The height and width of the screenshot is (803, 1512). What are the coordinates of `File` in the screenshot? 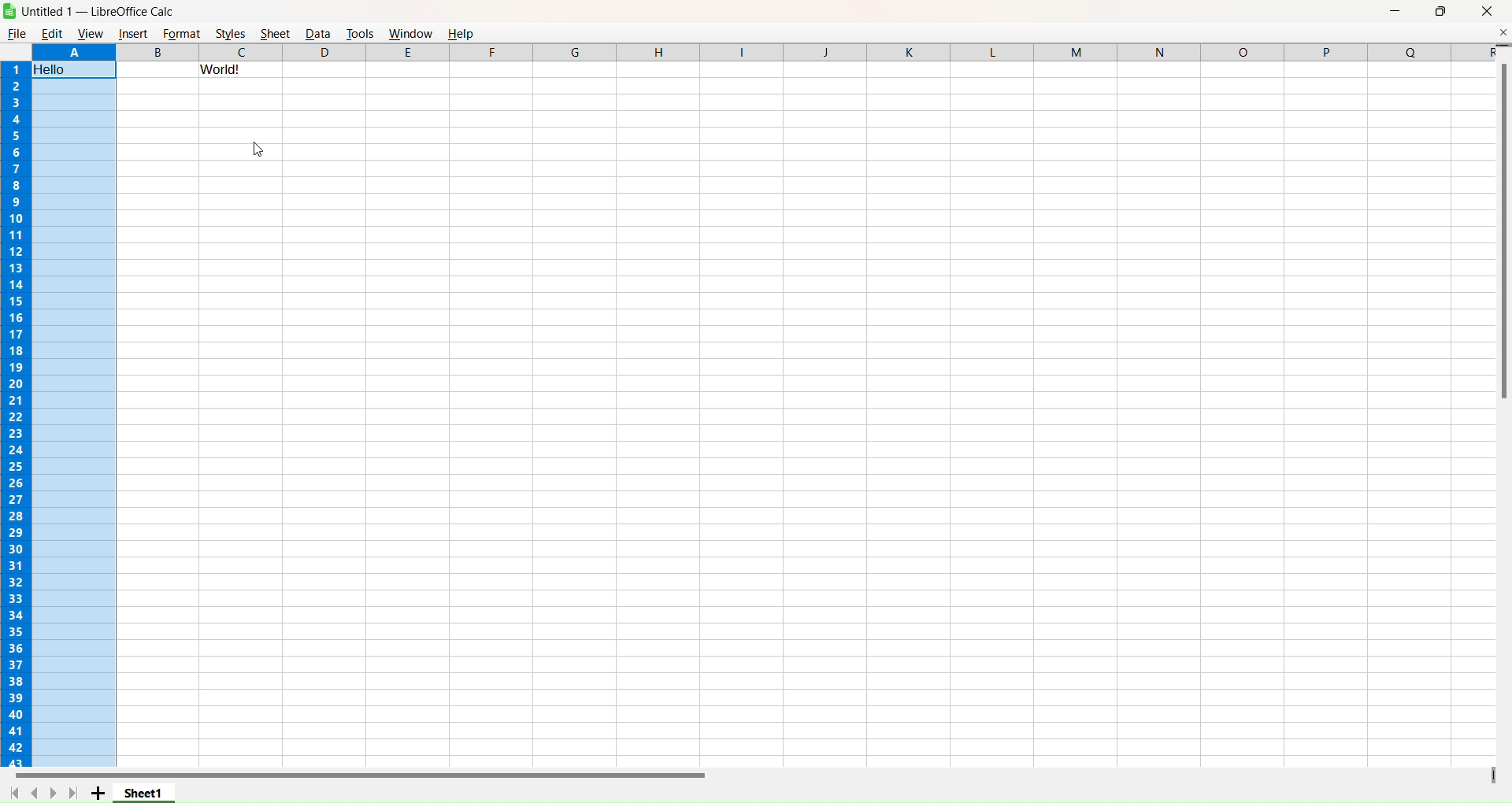 It's located at (17, 33).